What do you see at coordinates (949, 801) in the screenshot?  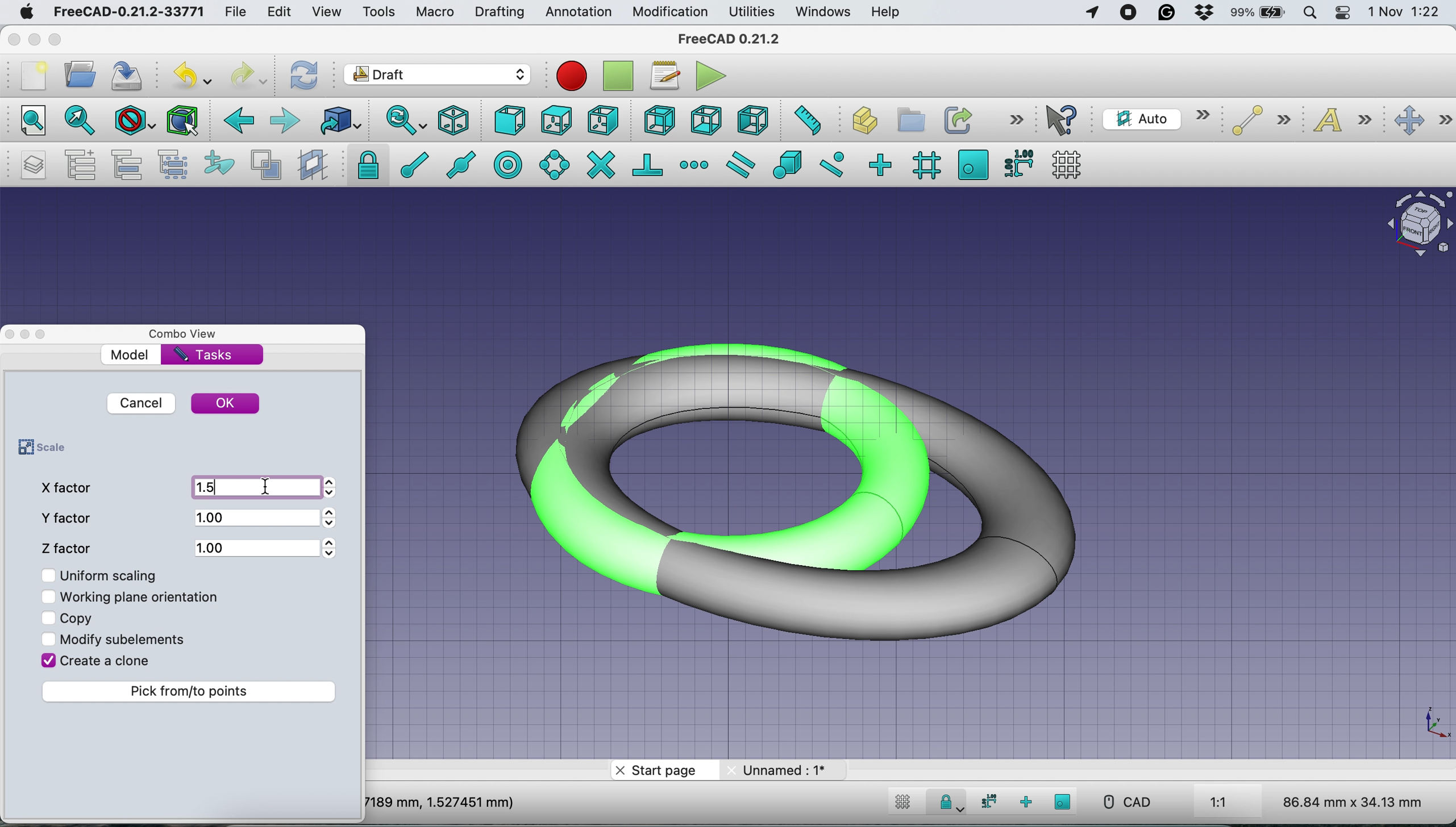 I see `Snap Lock` at bounding box center [949, 801].